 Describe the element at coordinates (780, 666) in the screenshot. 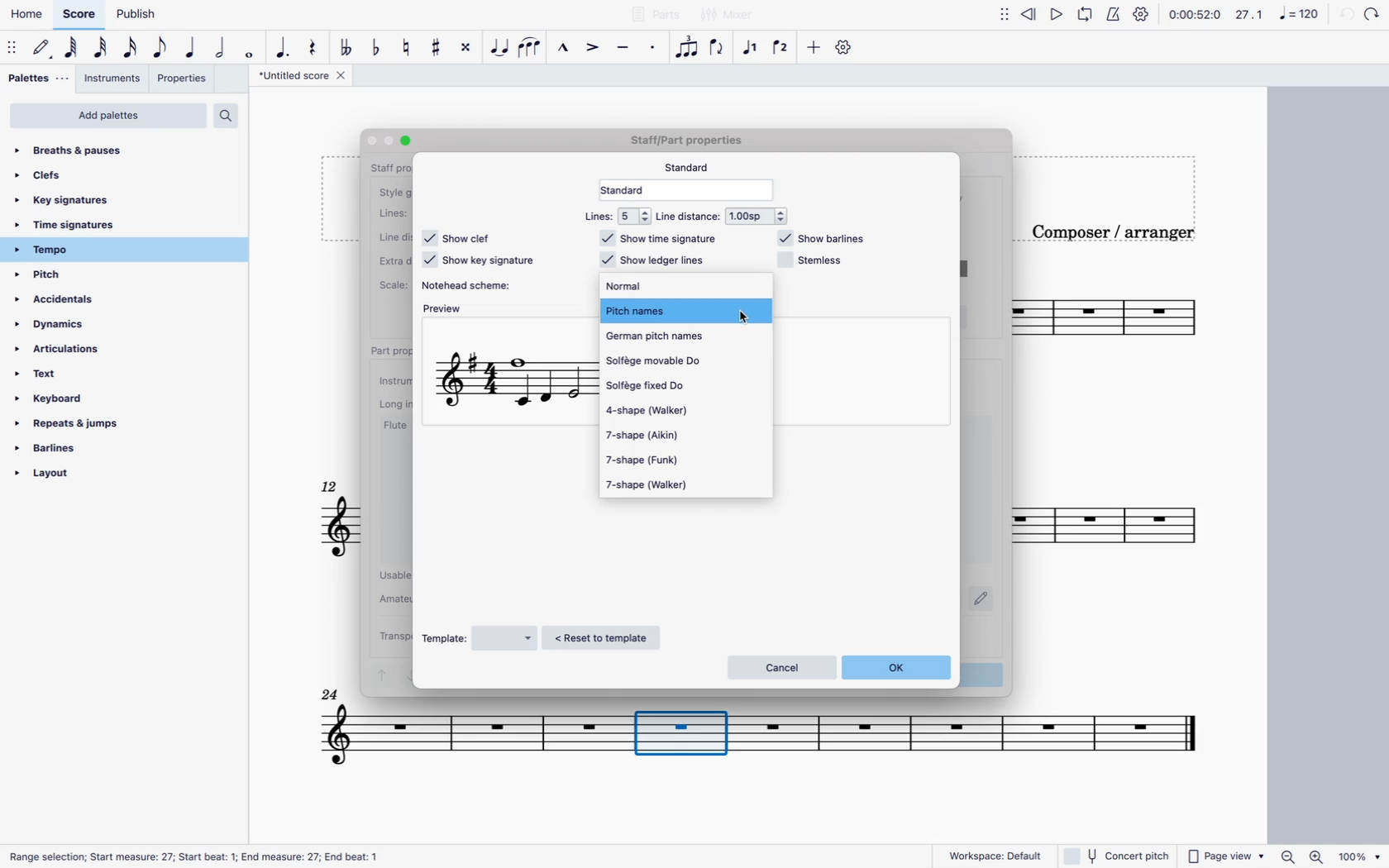

I see `cancel` at that location.